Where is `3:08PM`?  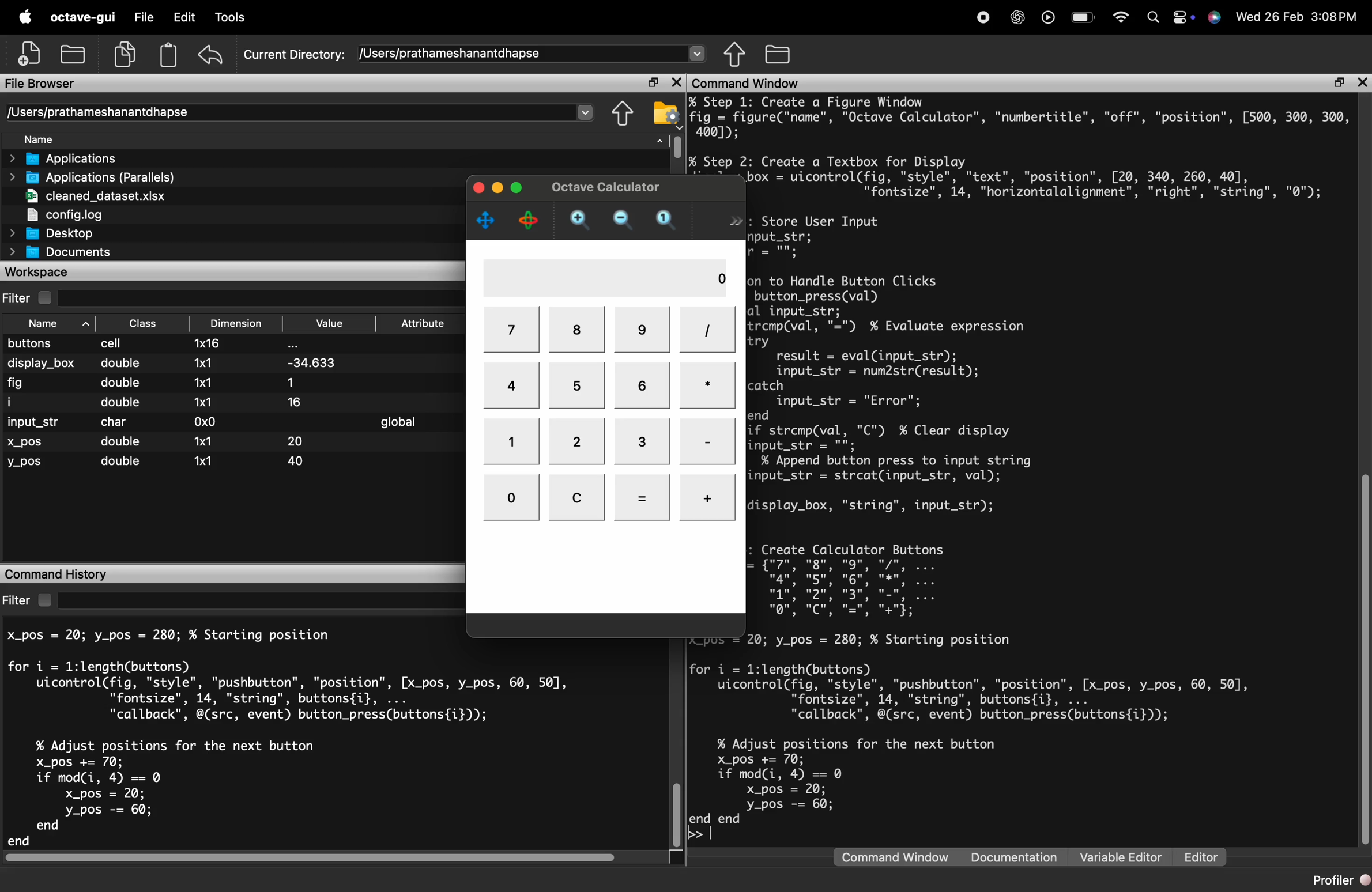 3:08PM is located at coordinates (1333, 17).